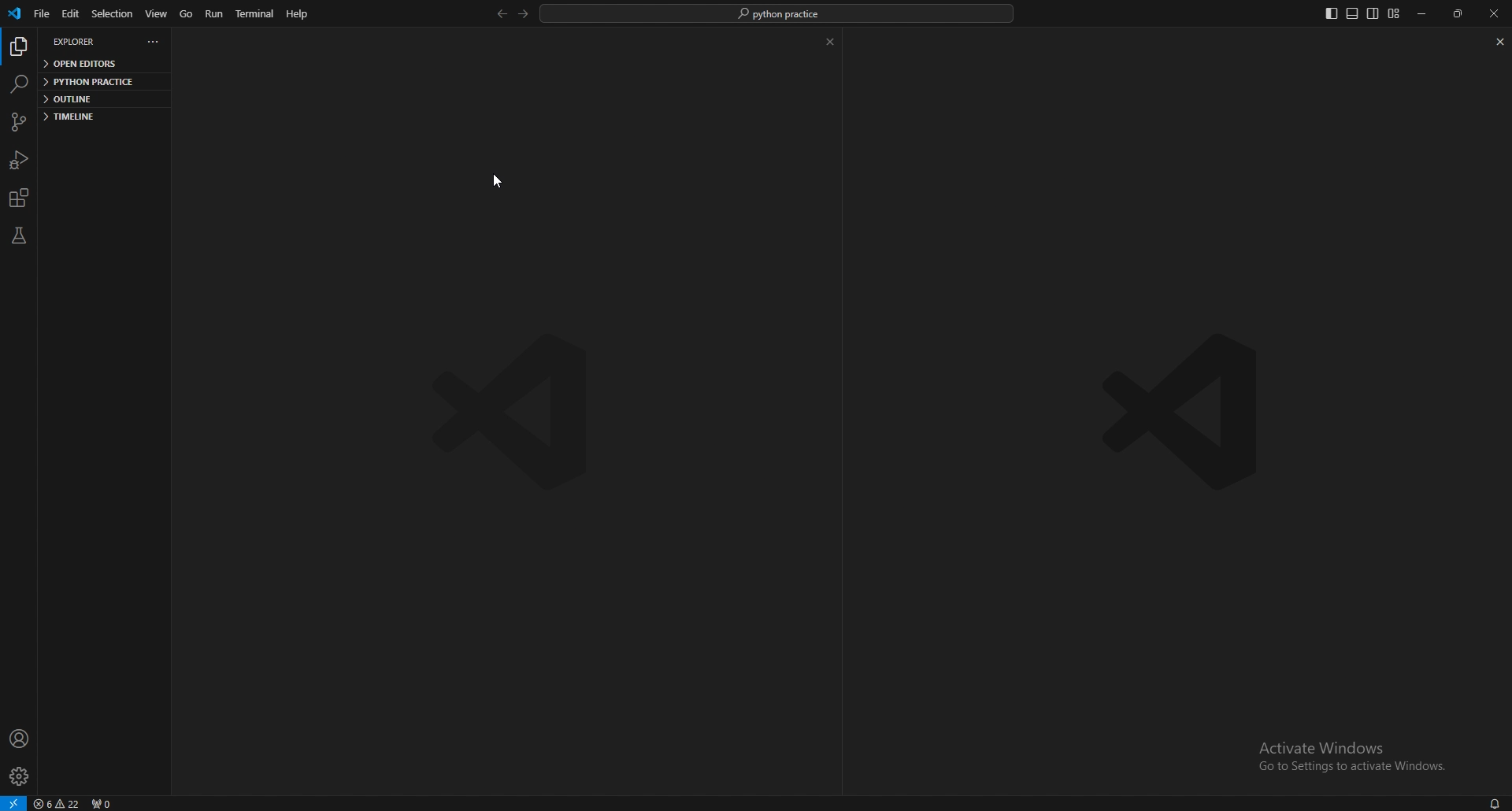 This screenshot has width=1512, height=811. I want to click on explorer, so click(17, 48).